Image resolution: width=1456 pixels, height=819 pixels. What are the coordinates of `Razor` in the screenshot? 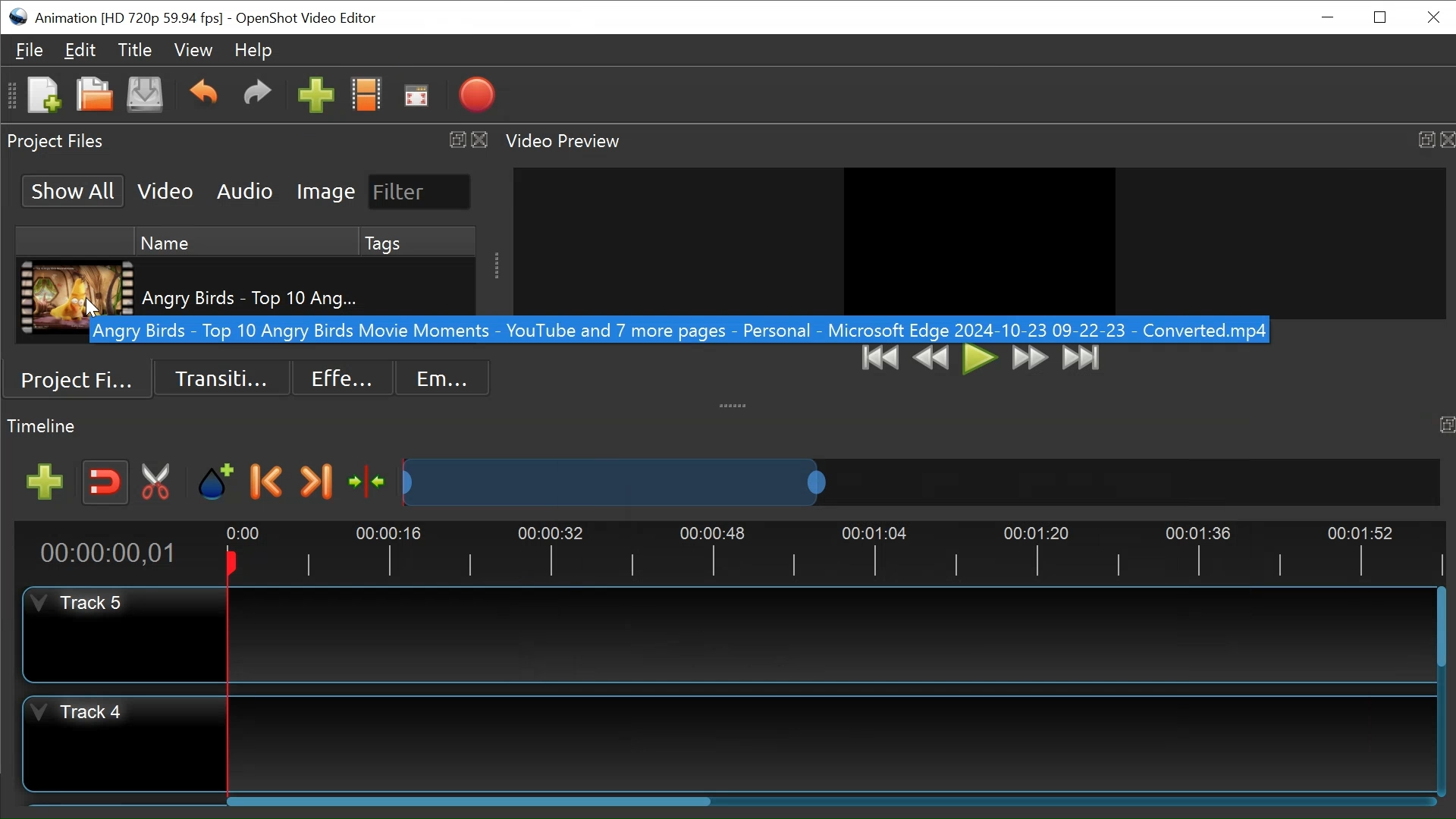 It's located at (157, 483).